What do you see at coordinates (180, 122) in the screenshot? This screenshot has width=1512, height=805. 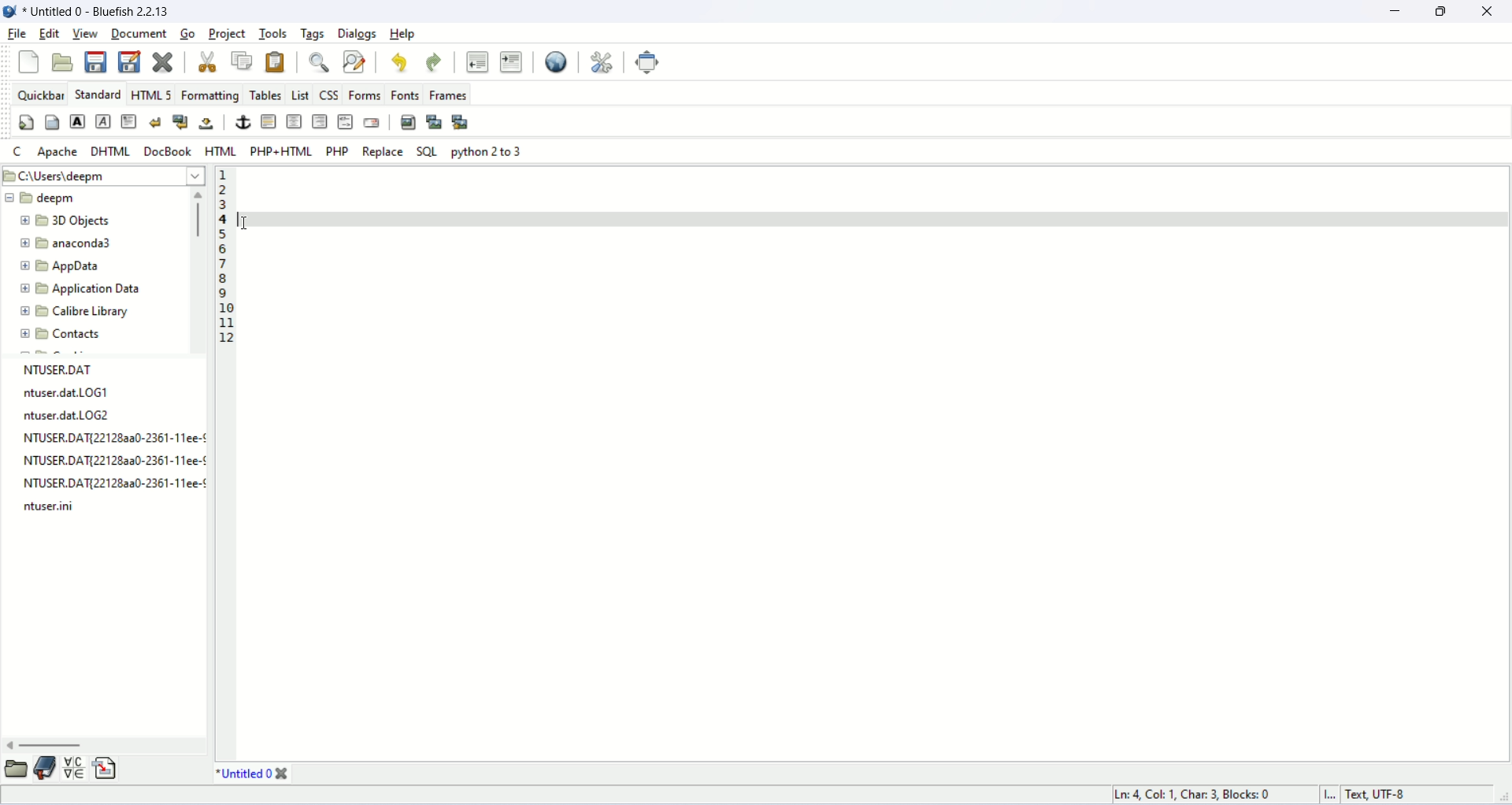 I see `break and navigation` at bounding box center [180, 122].